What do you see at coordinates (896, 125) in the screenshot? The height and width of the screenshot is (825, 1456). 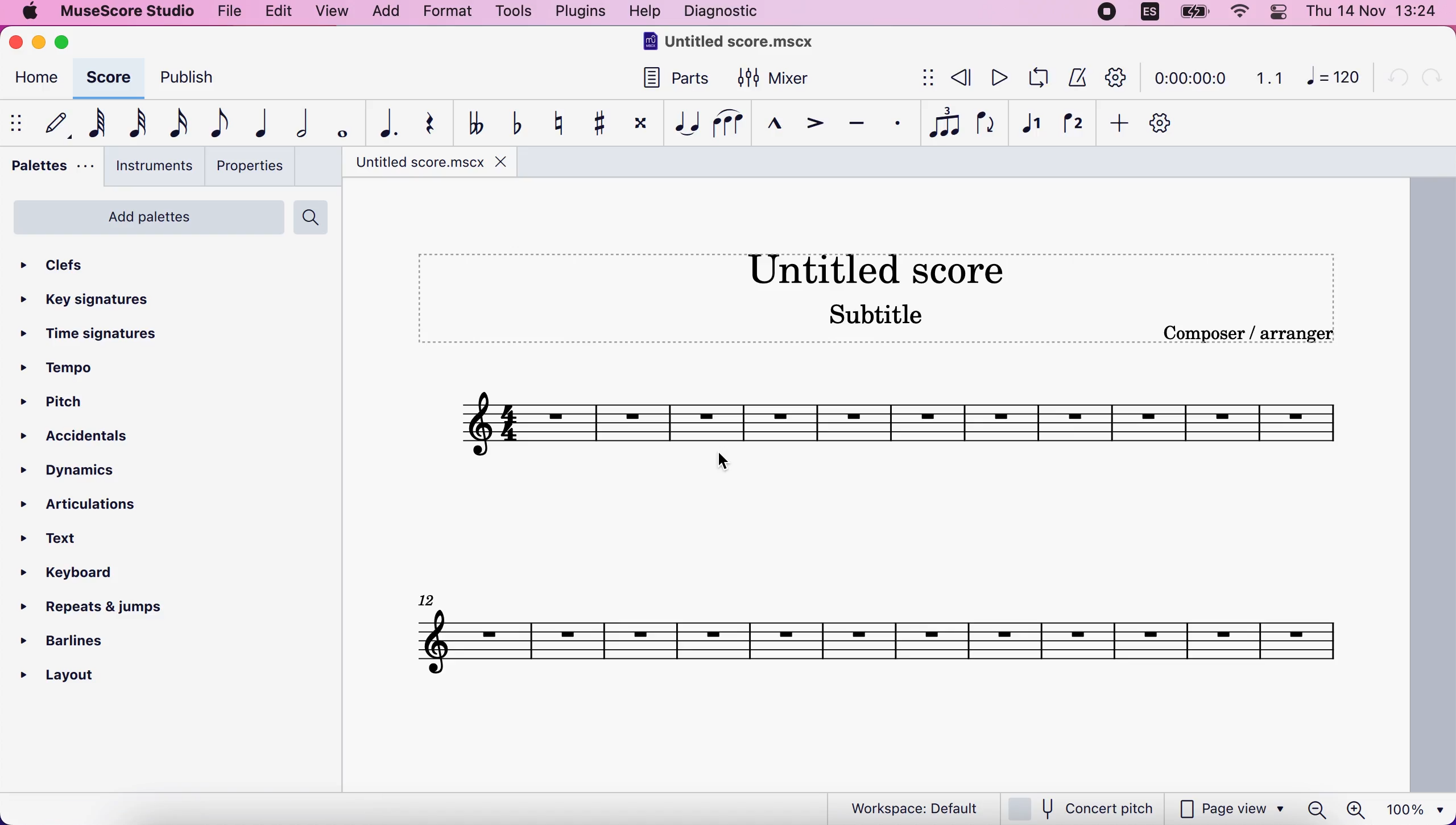 I see `staccato` at bounding box center [896, 125].